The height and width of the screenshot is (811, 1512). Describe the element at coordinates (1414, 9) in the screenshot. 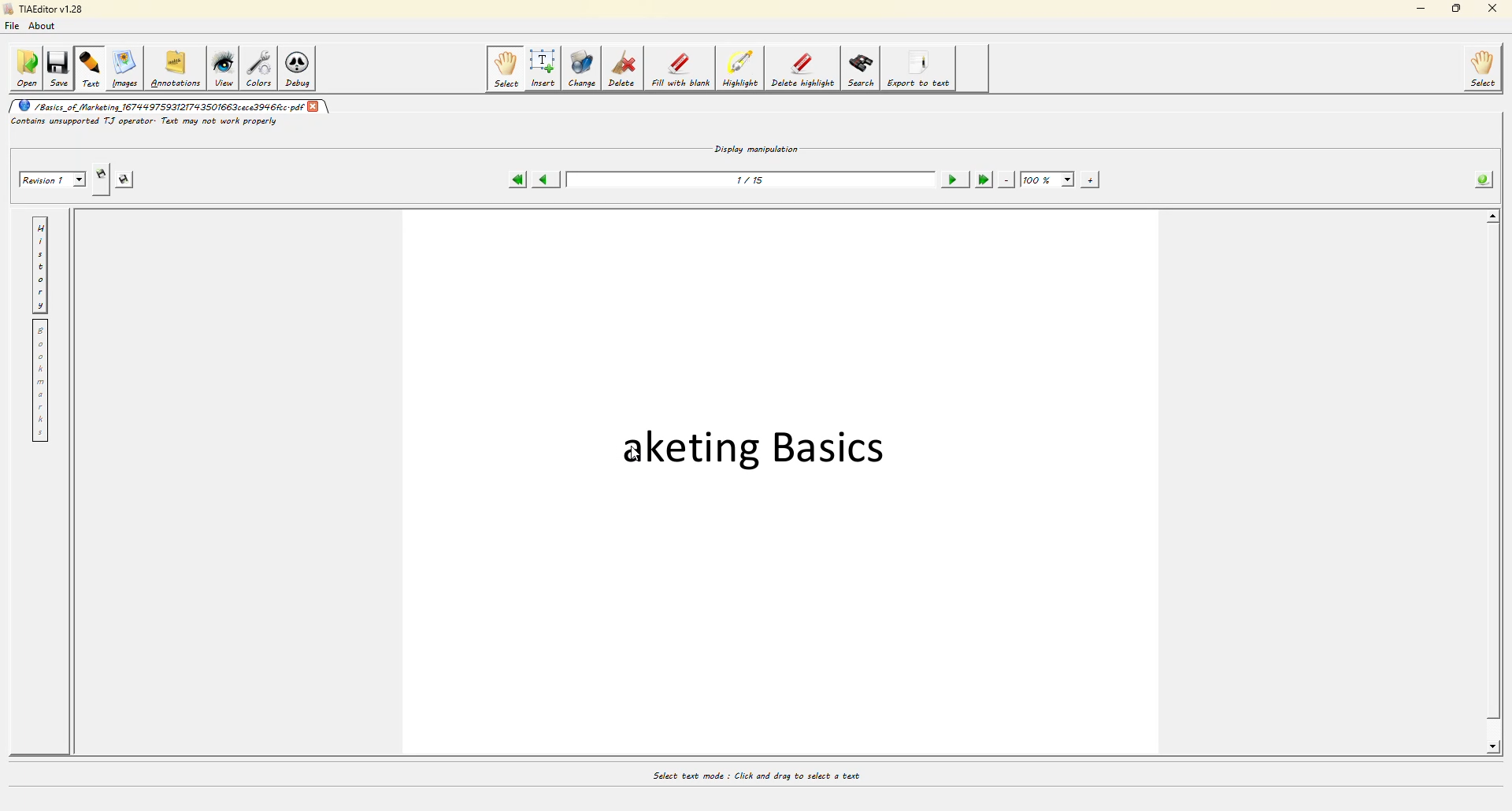

I see `minimize` at that location.